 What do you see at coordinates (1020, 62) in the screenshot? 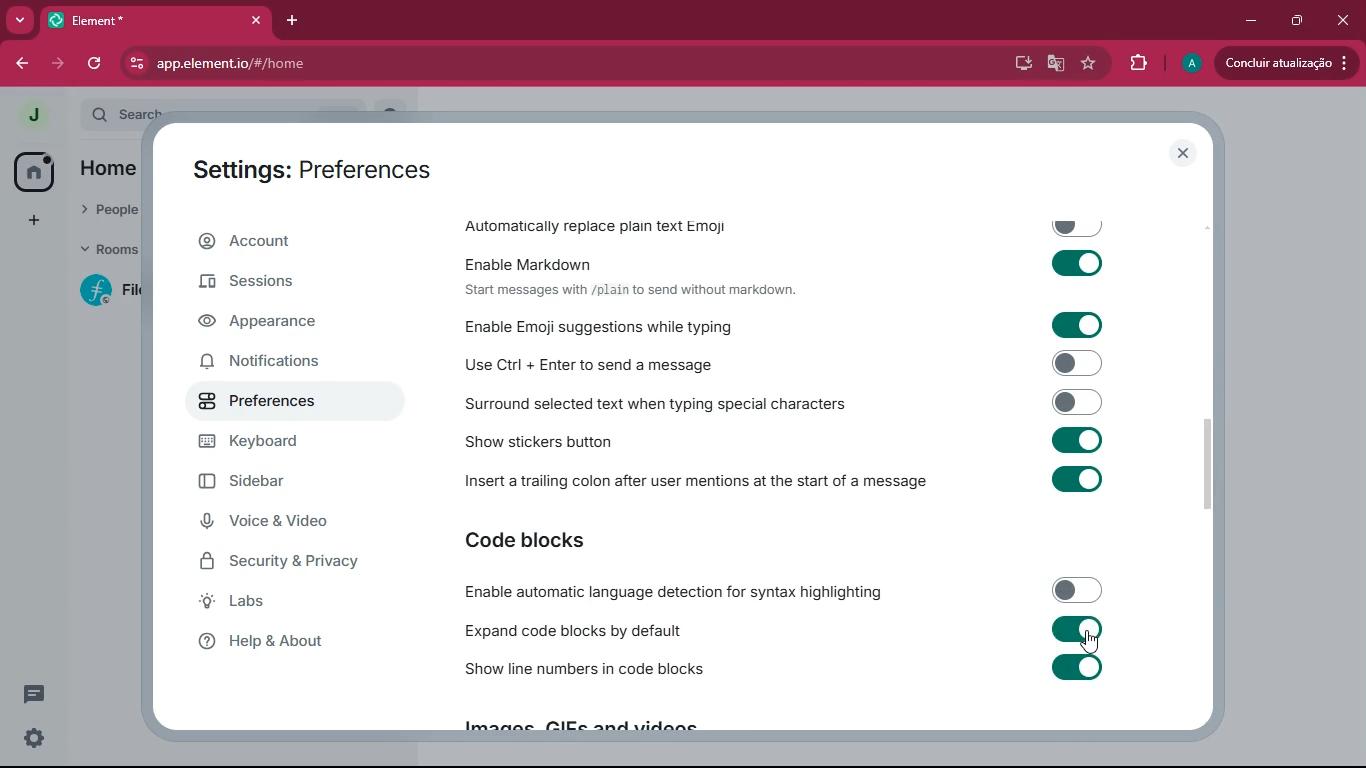
I see `desktop` at bounding box center [1020, 62].